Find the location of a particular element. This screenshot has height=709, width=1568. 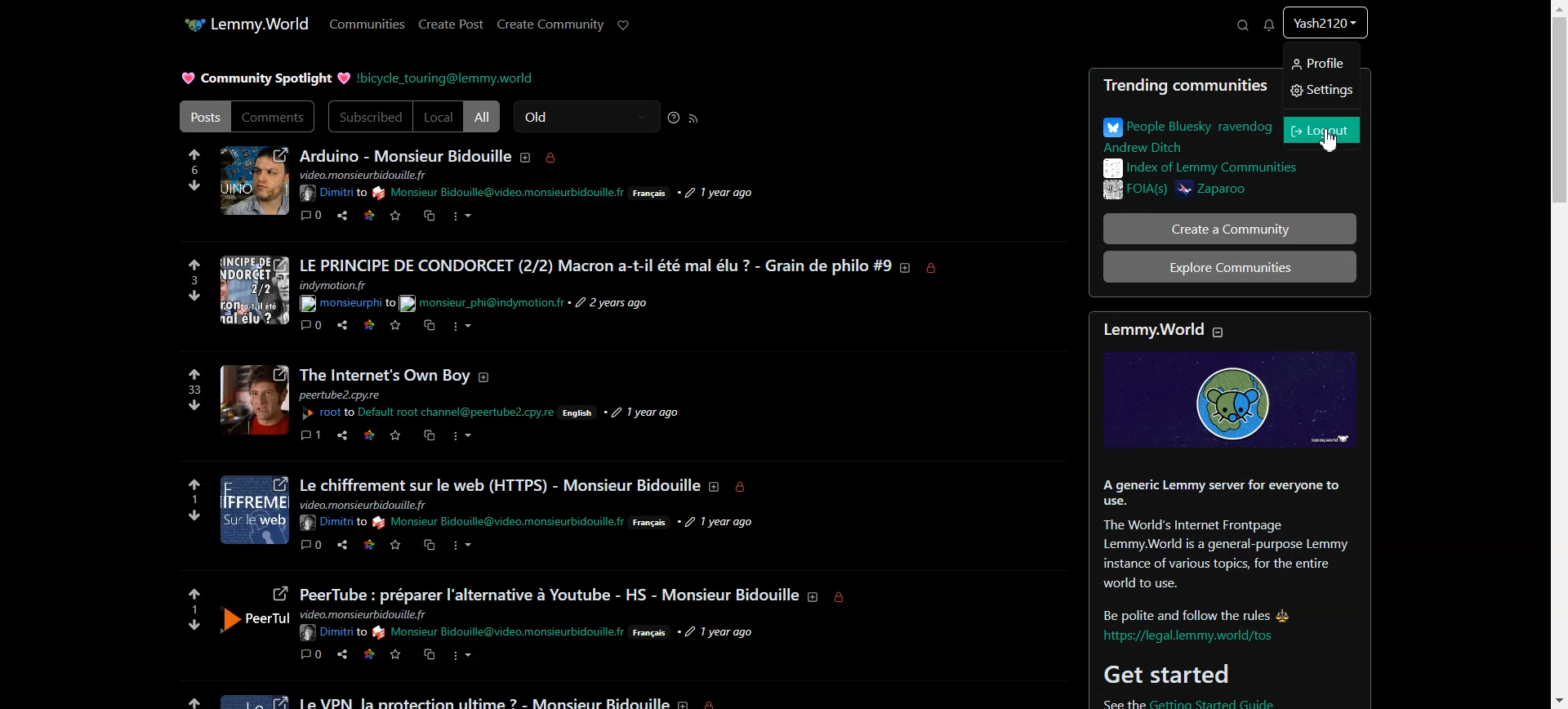

Vertical scroll bar is located at coordinates (1558, 354).